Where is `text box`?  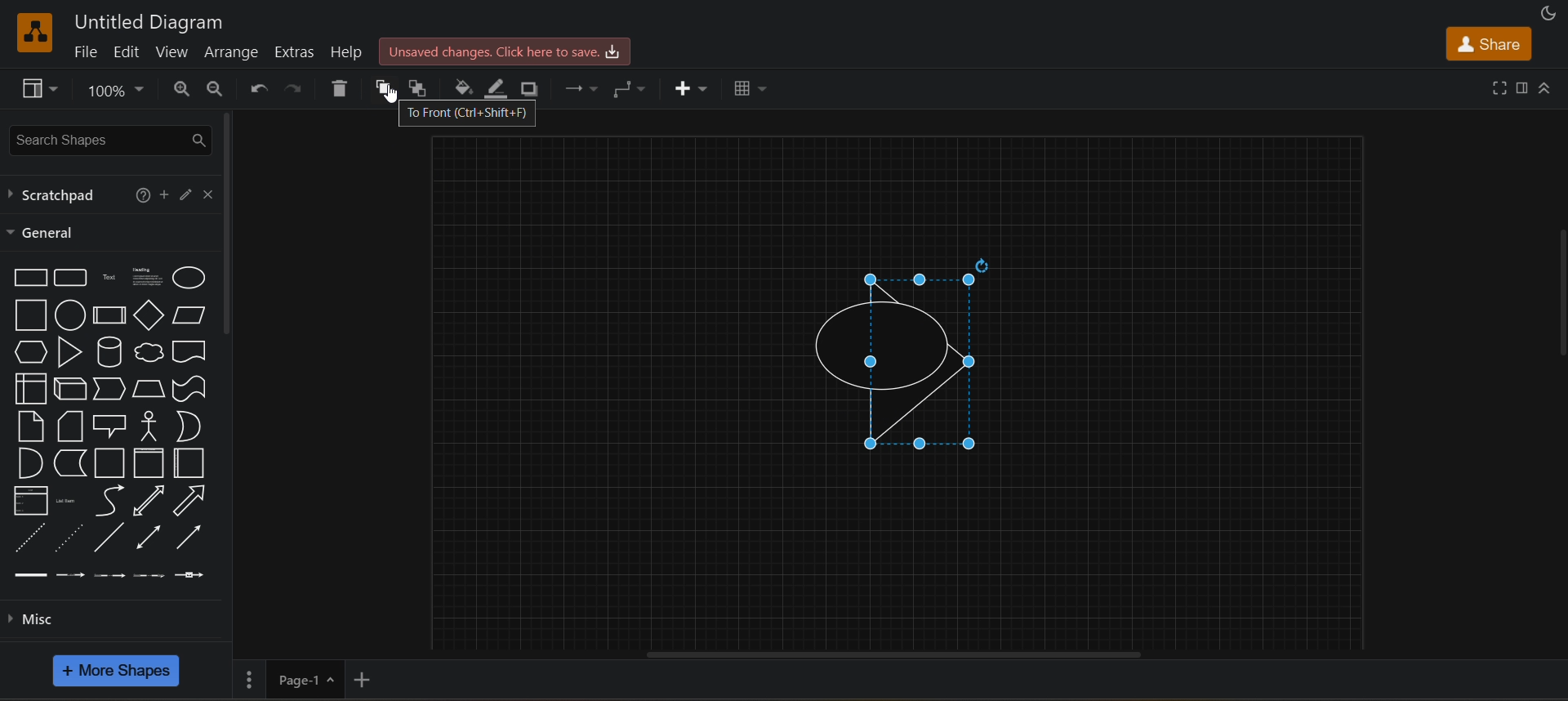 text box is located at coordinates (147, 275).